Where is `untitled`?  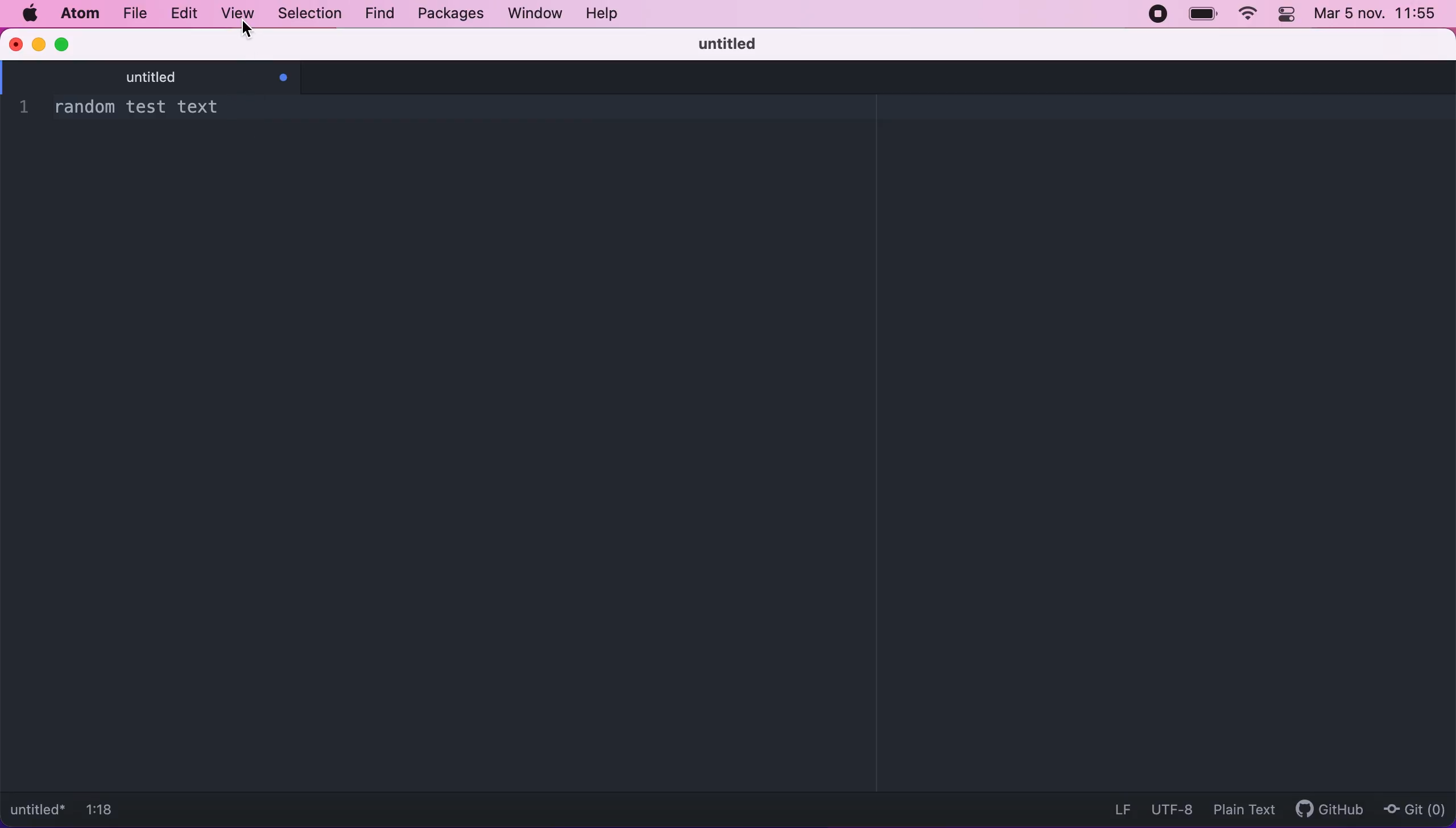 untitled is located at coordinates (722, 42).